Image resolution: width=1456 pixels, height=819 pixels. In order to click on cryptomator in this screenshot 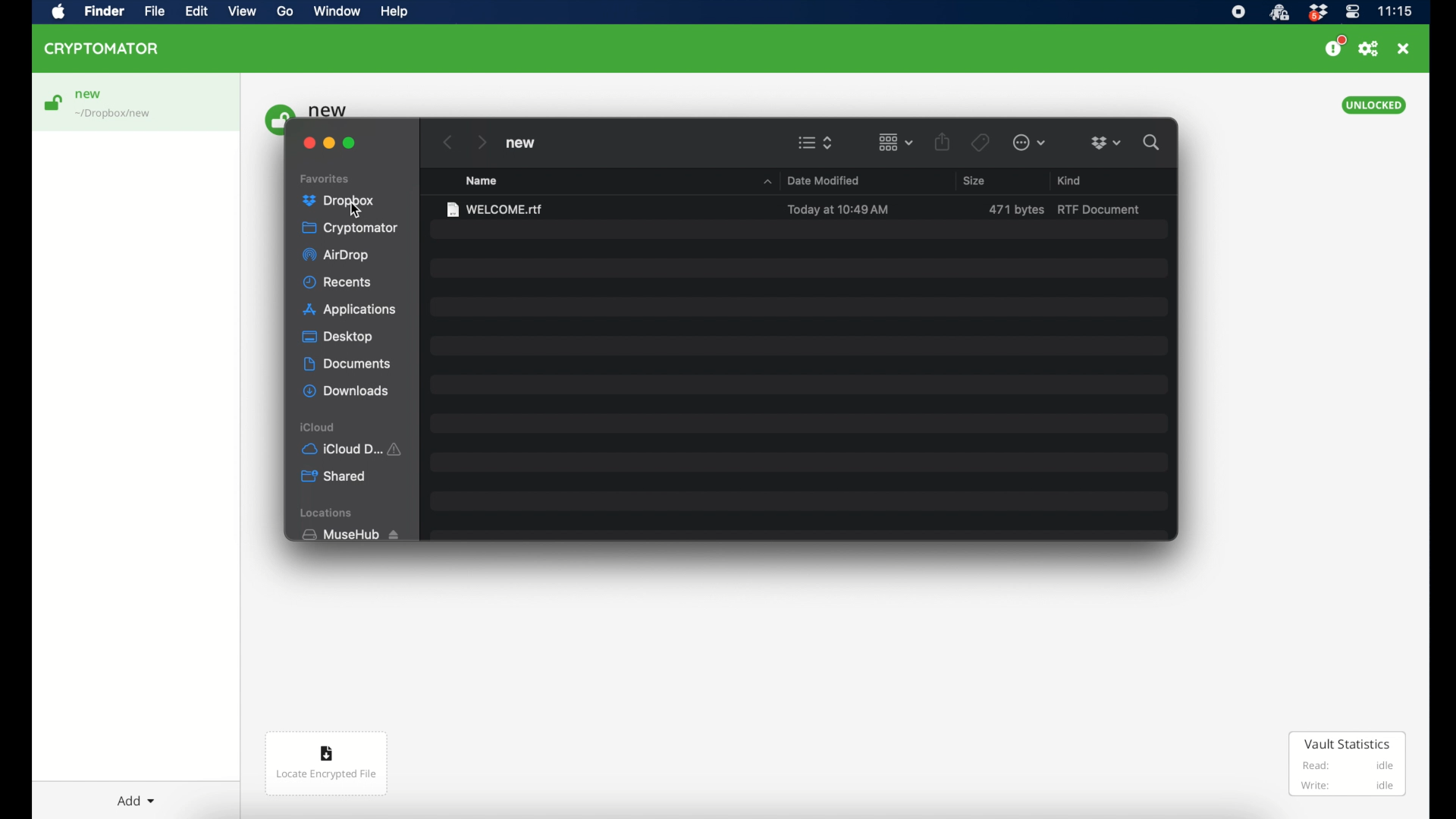, I will do `click(102, 49)`.